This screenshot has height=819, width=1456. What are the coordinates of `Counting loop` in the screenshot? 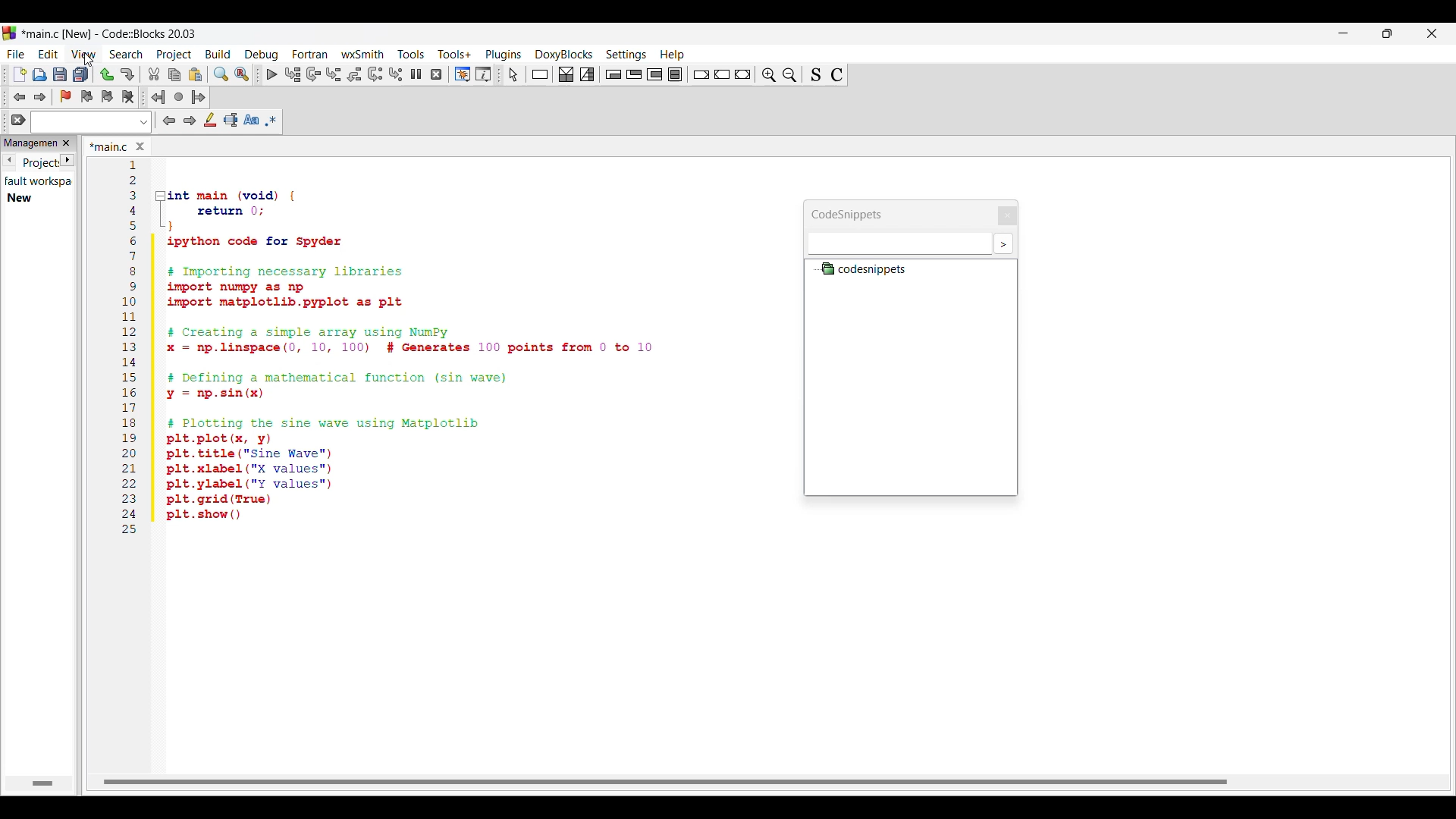 It's located at (654, 74).